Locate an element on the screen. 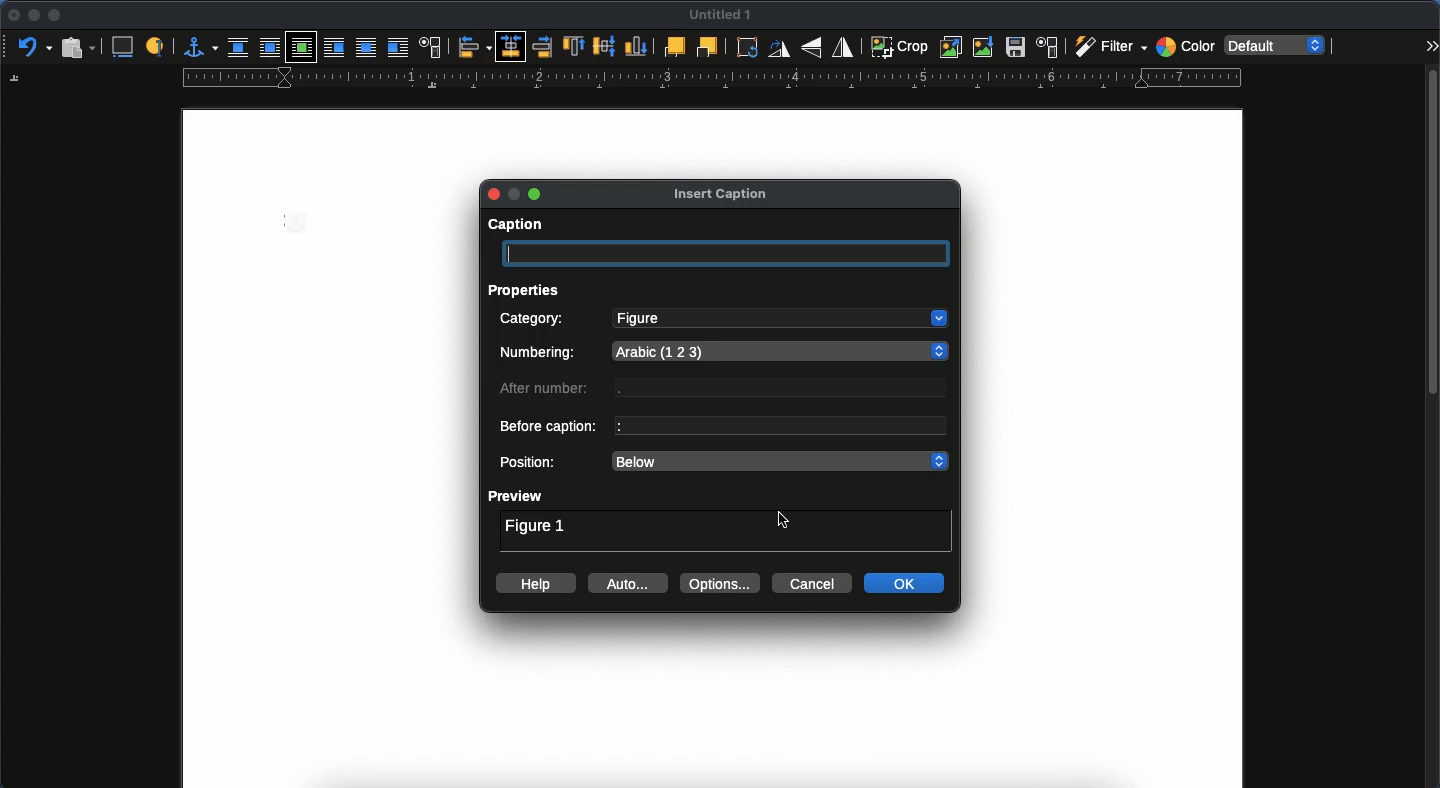  rotate 90 right is located at coordinates (781, 49).